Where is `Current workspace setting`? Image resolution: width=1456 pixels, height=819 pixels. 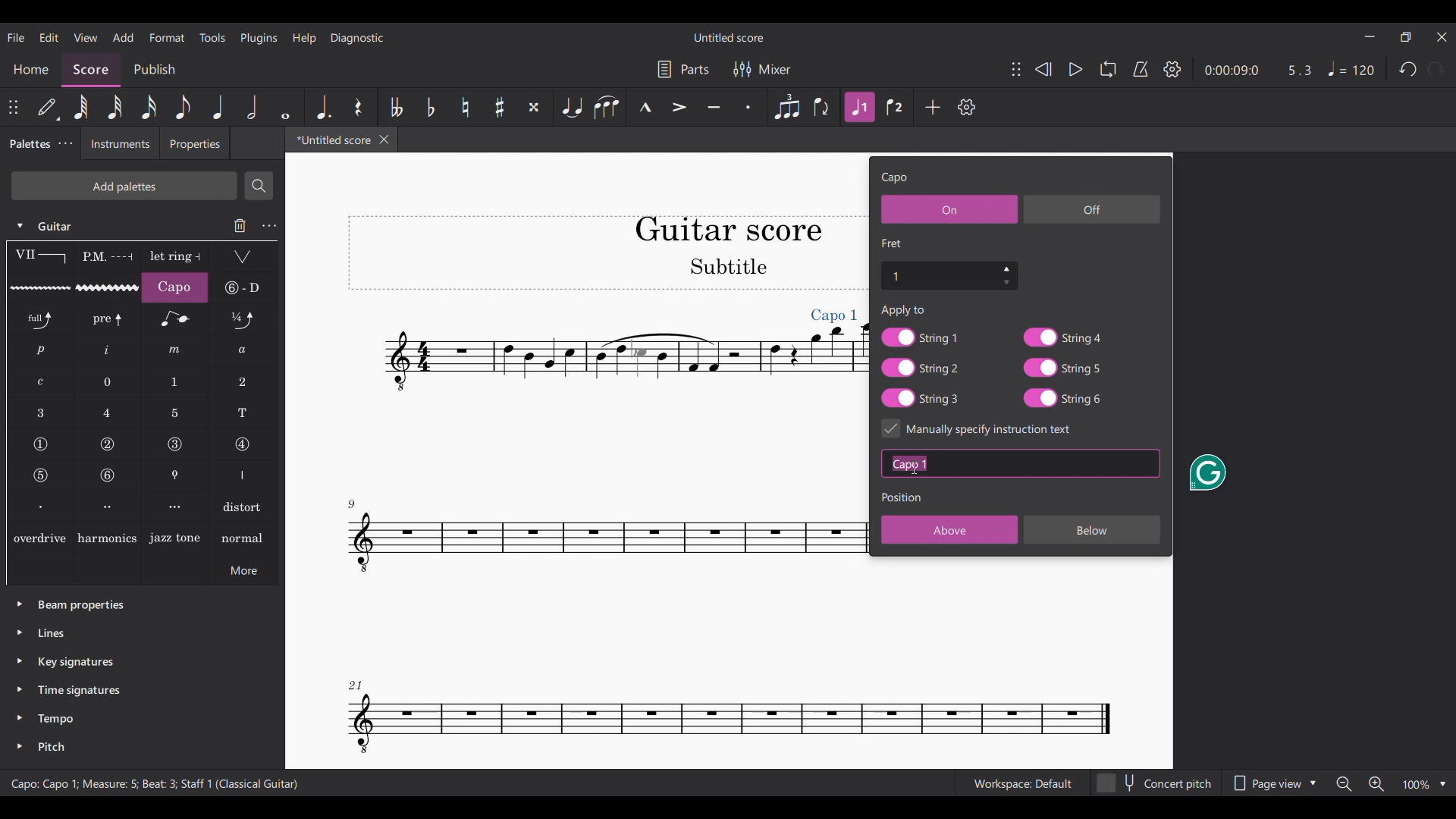 Current workspace setting is located at coordinates (1022, 783).